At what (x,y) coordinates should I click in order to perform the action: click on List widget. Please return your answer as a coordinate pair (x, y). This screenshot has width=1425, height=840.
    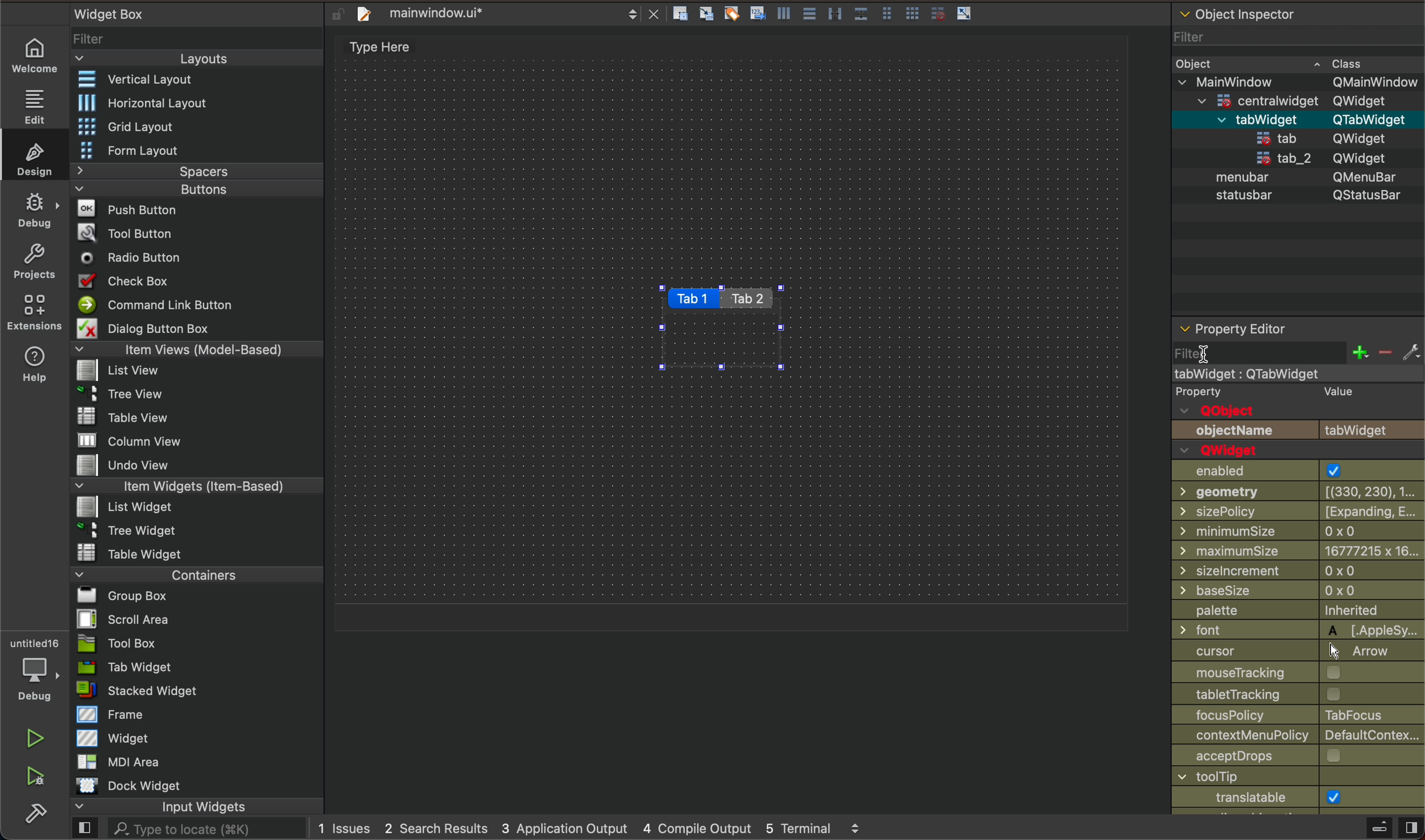
    Looking at the image, I should click on (119, 507).